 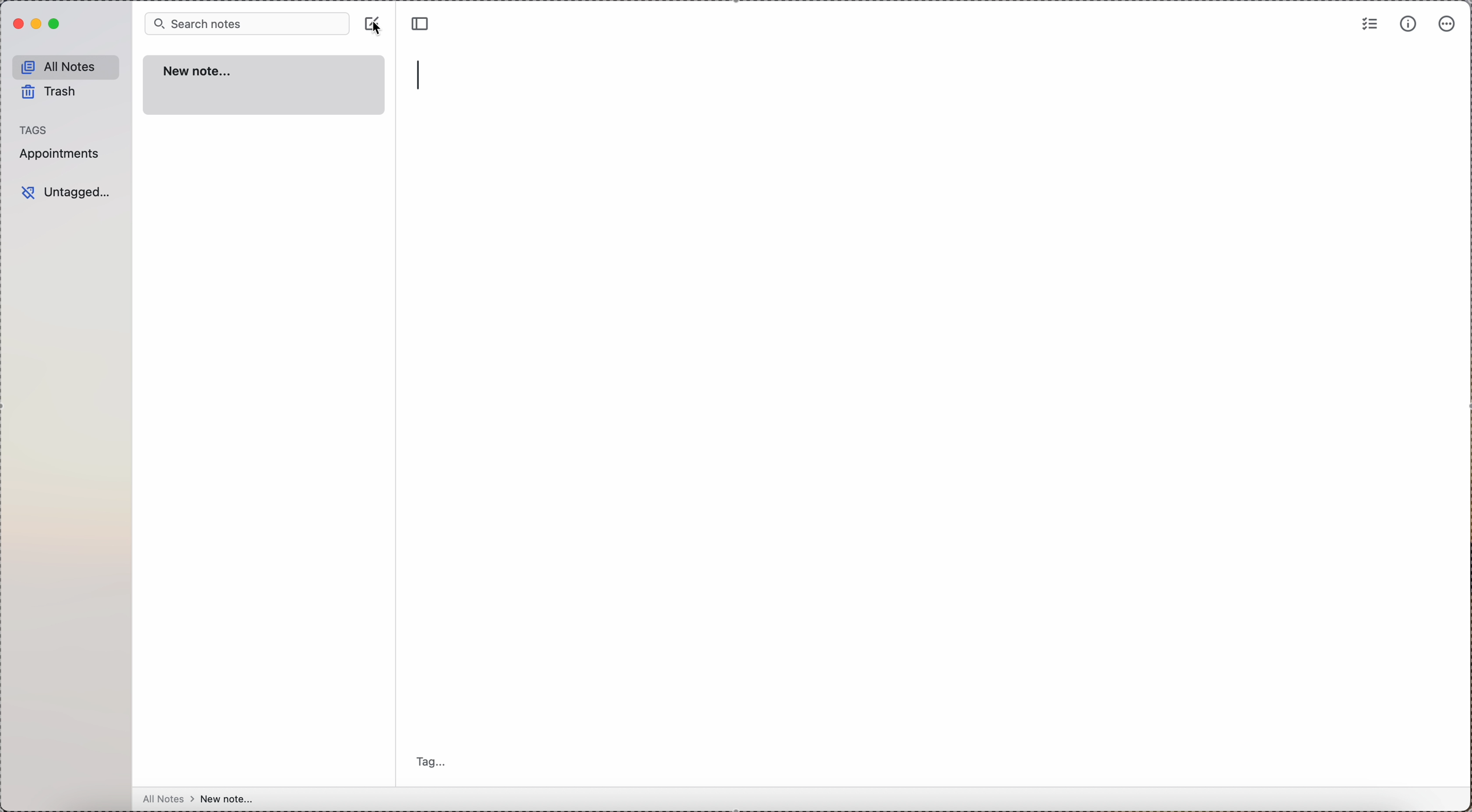 What do you see at coordinates (377, 31) in the screenshot?
I see `cursor` at bounding box center [377, 31].